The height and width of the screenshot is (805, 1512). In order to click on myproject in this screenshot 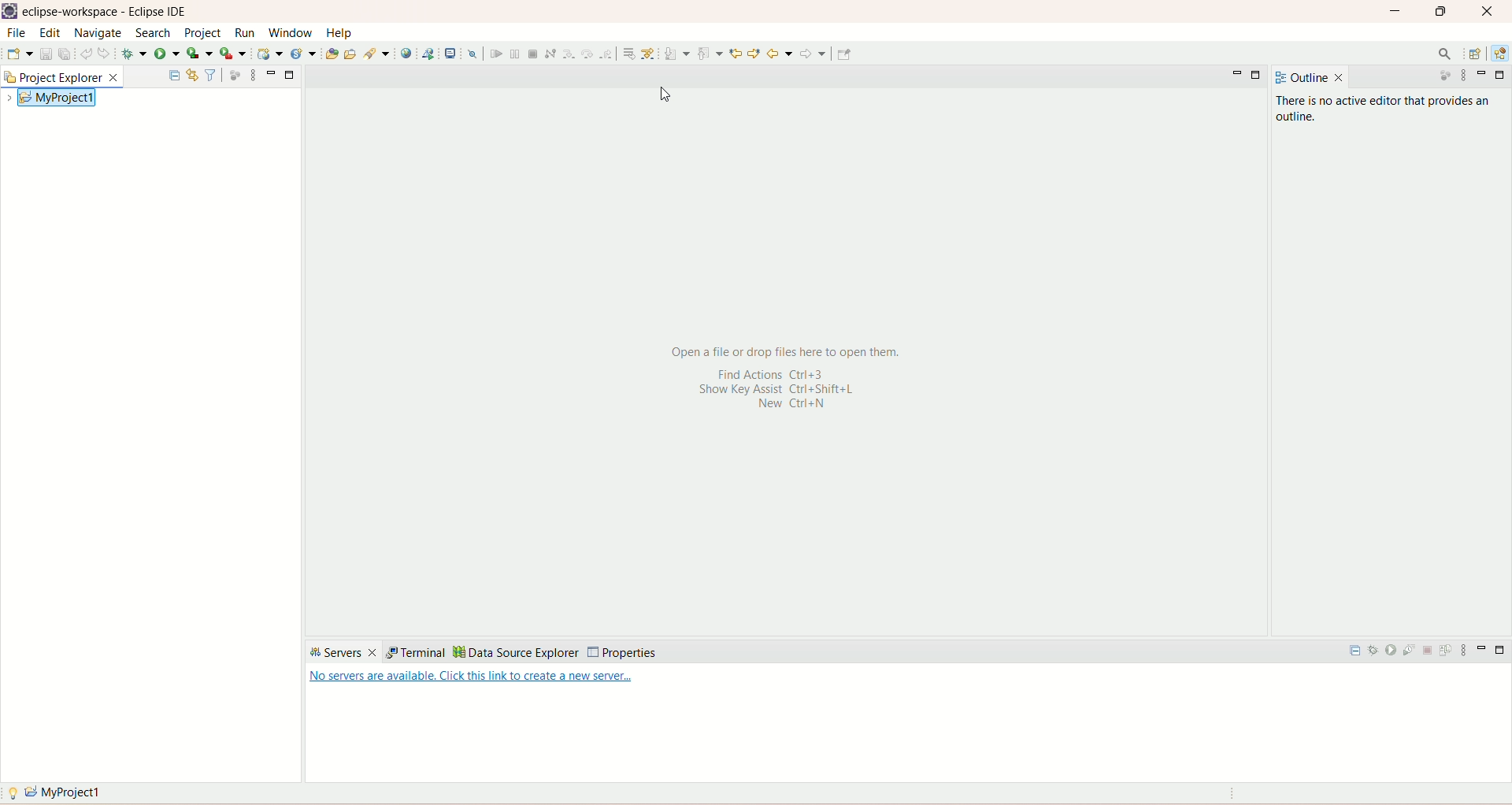, I will do `click(56, 793)`.